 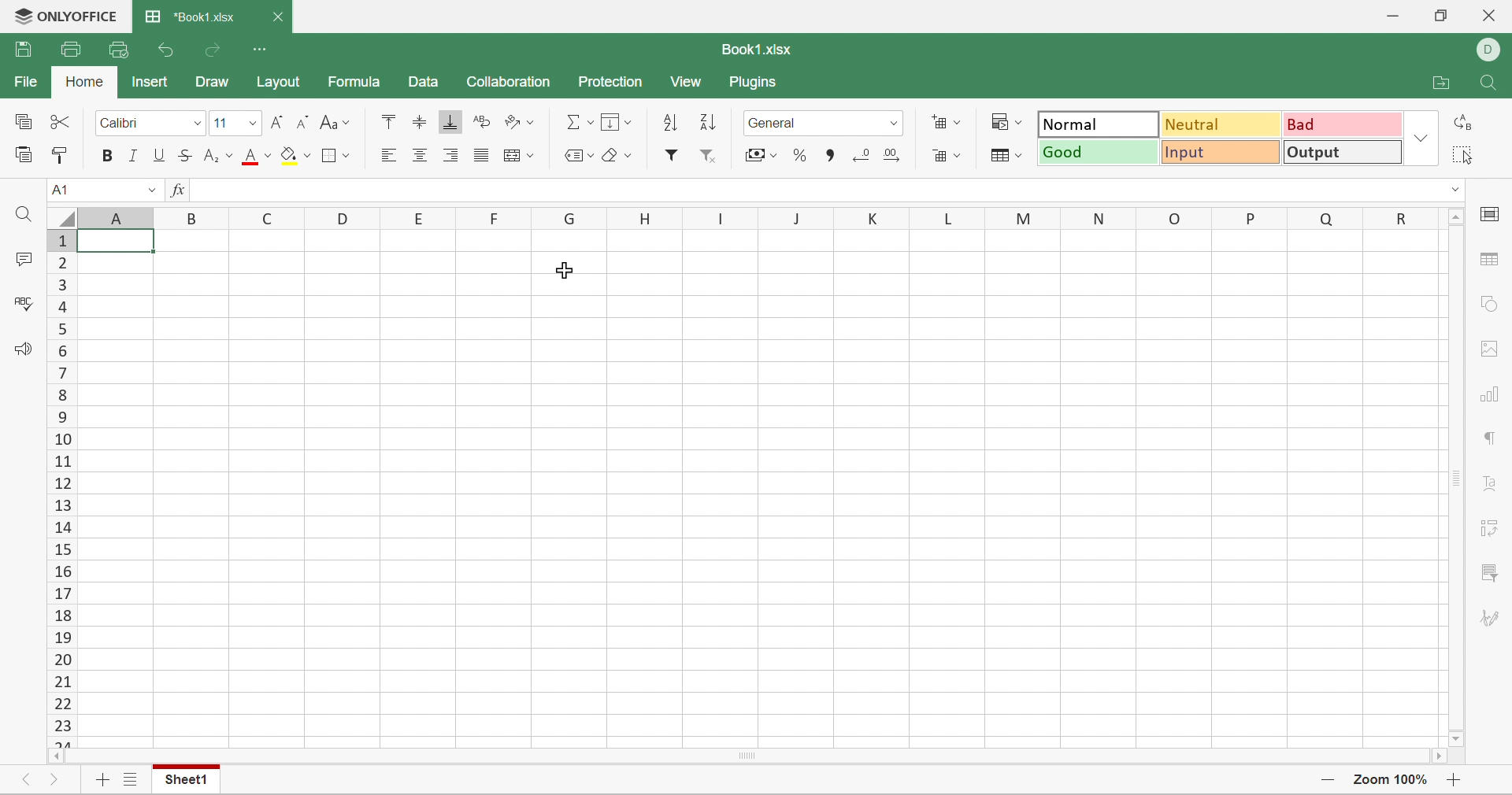 What do you see at coordinates (1254, 216) in the screenshot?
I see `P` at bounding box center [1254, 216].